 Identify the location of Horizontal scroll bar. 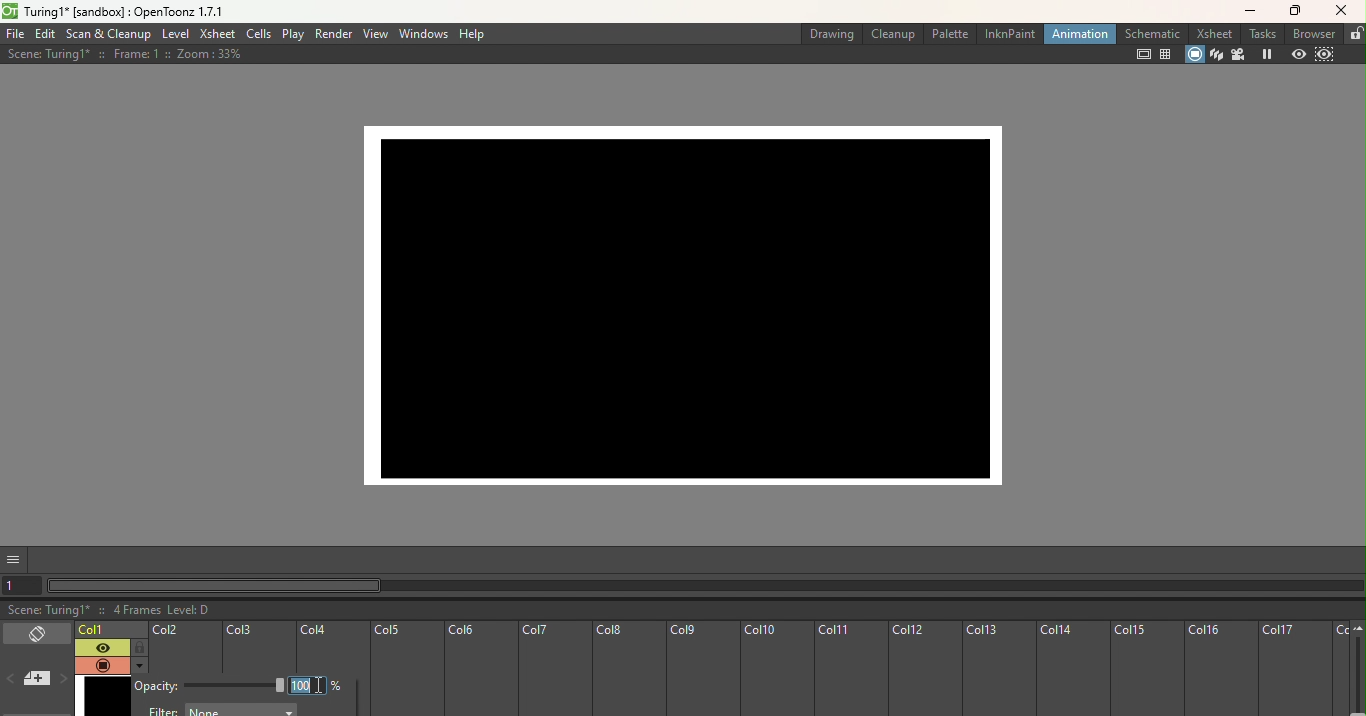
(706, 587).